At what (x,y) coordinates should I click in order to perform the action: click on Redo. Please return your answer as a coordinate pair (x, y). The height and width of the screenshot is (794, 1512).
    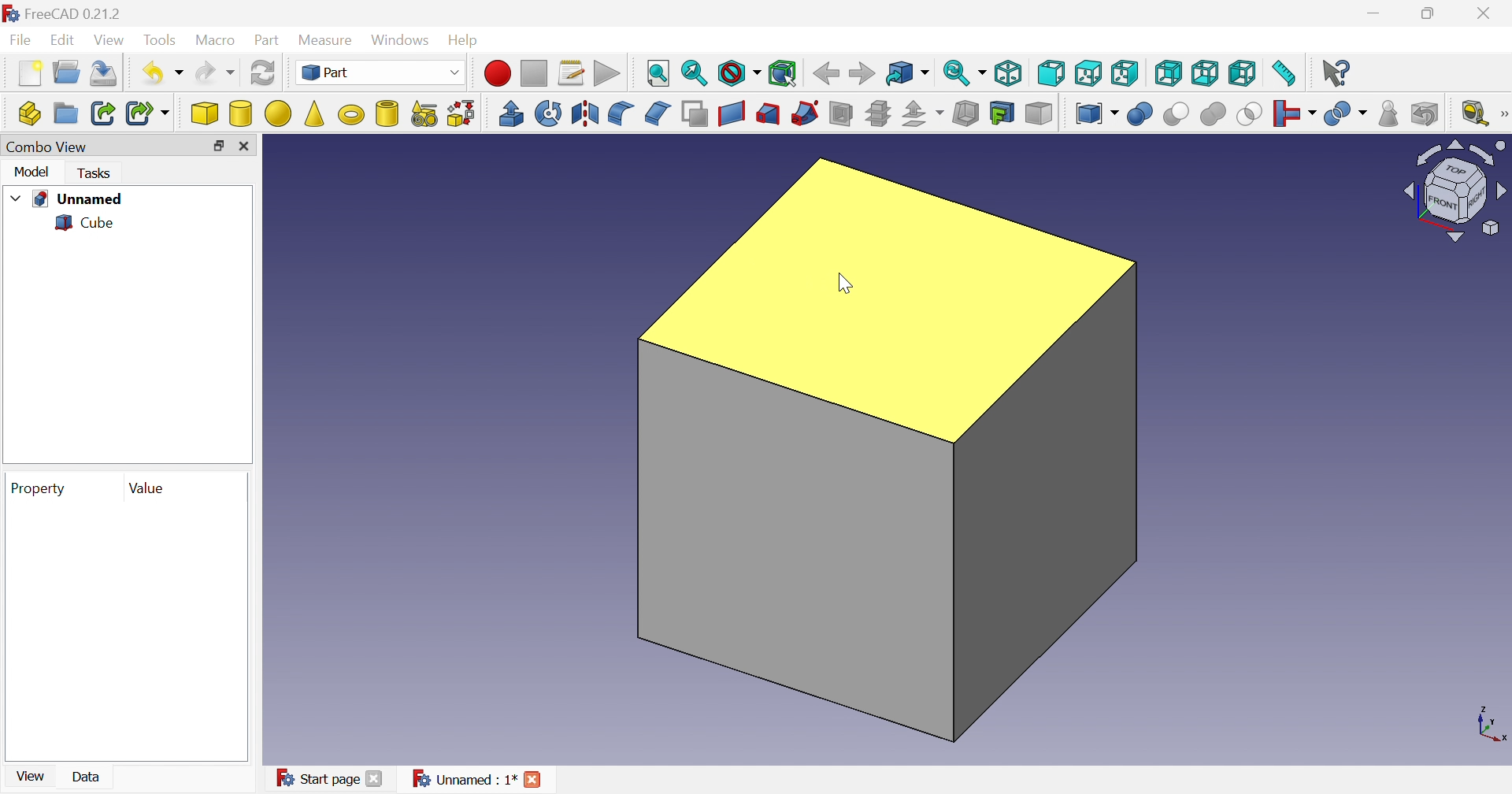
    Looking at the image, I should click on (216, 72).